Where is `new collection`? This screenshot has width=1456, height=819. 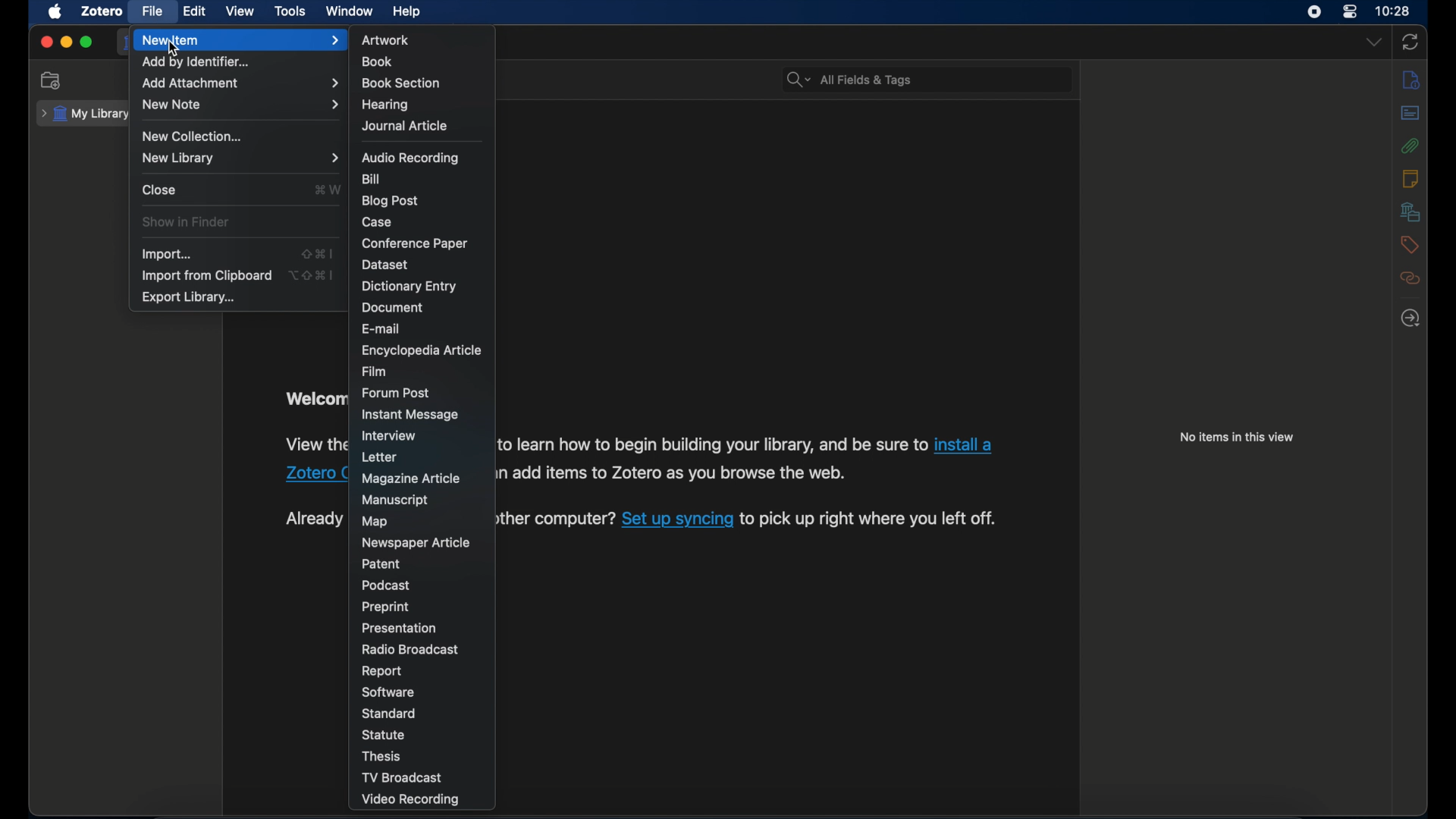
new collection is located at coordinates (54, 80).